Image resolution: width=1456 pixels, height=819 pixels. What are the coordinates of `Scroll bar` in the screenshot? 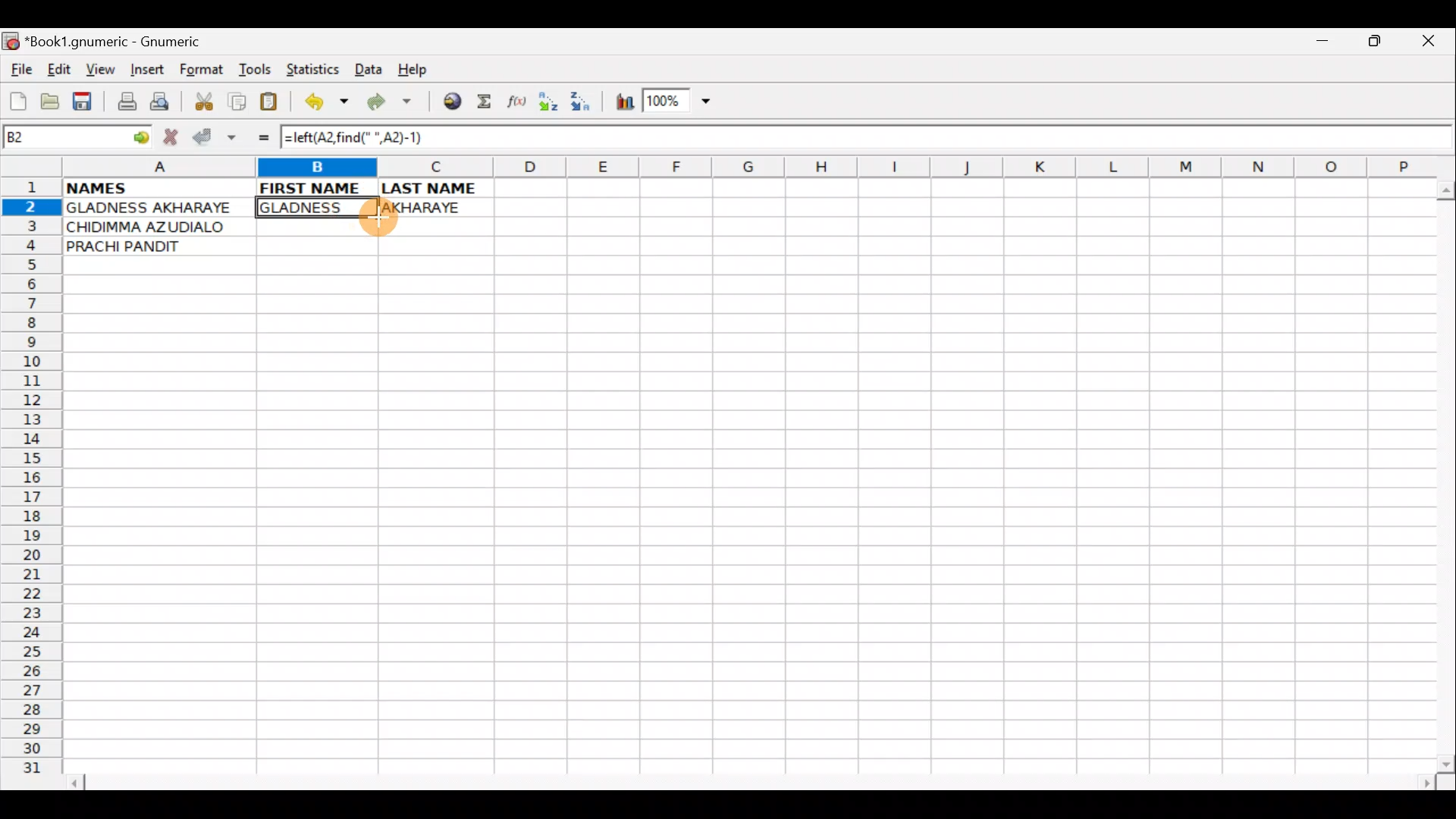 It's located at (1442, 473).